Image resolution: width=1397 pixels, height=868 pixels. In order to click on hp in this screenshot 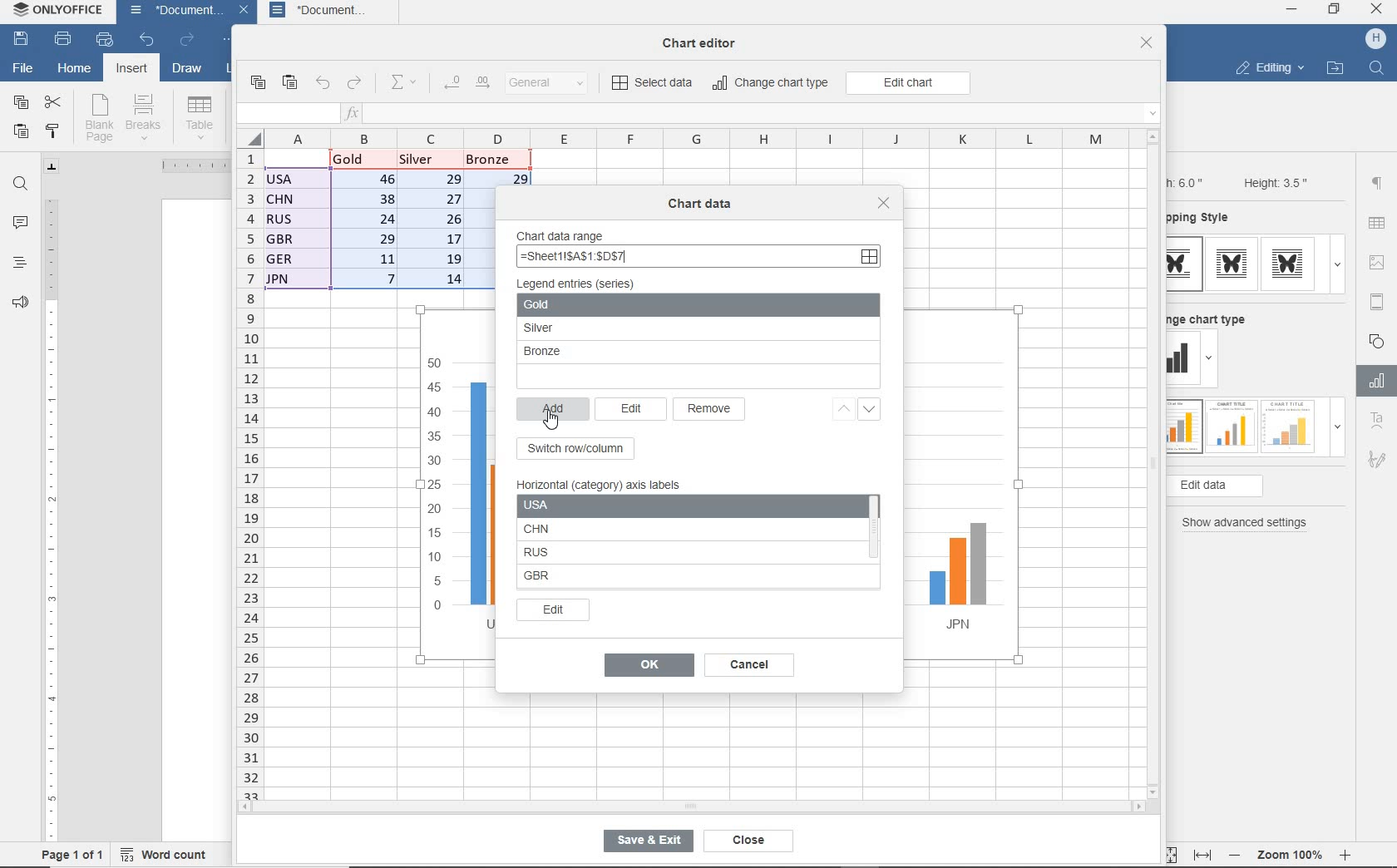, I will do `click(1376, 39)`.